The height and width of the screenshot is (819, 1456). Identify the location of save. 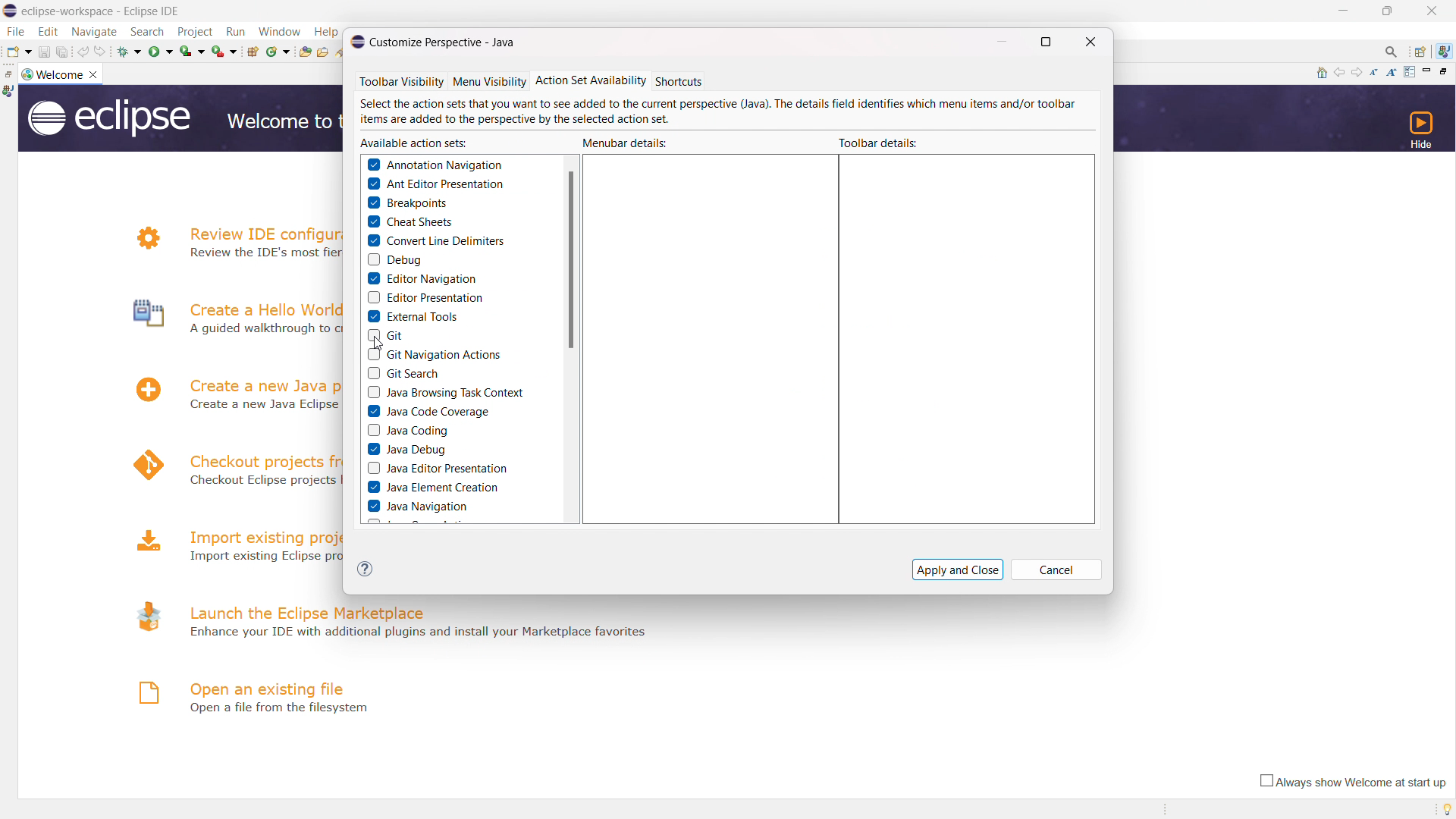
(43, 52).